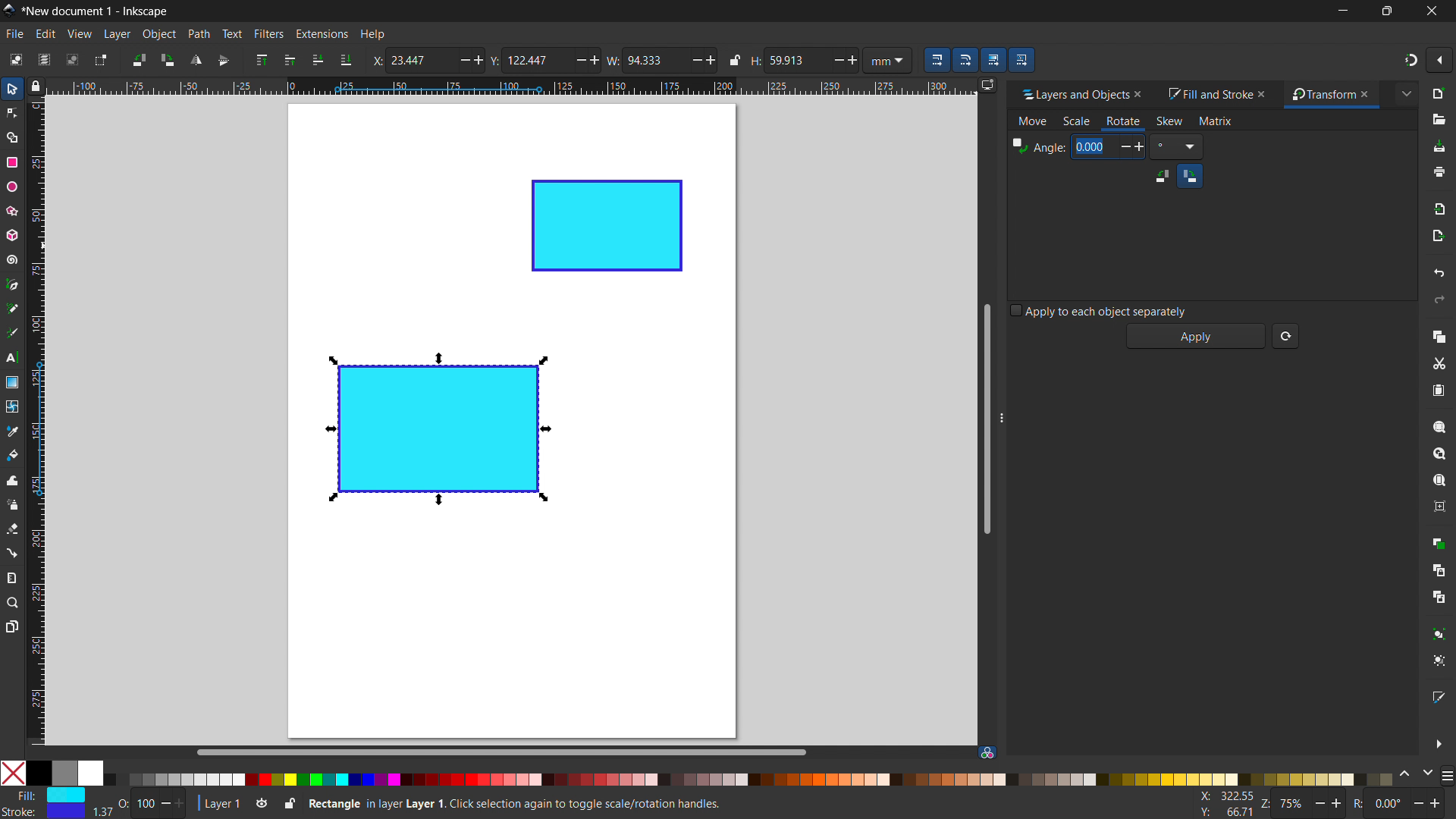 The width and height of the screenshot is (1456, 819). What do you see at coordinates (578, 59) in the screenshot?
I see `Minus/ Decrease` at bounding box center [578, 59].